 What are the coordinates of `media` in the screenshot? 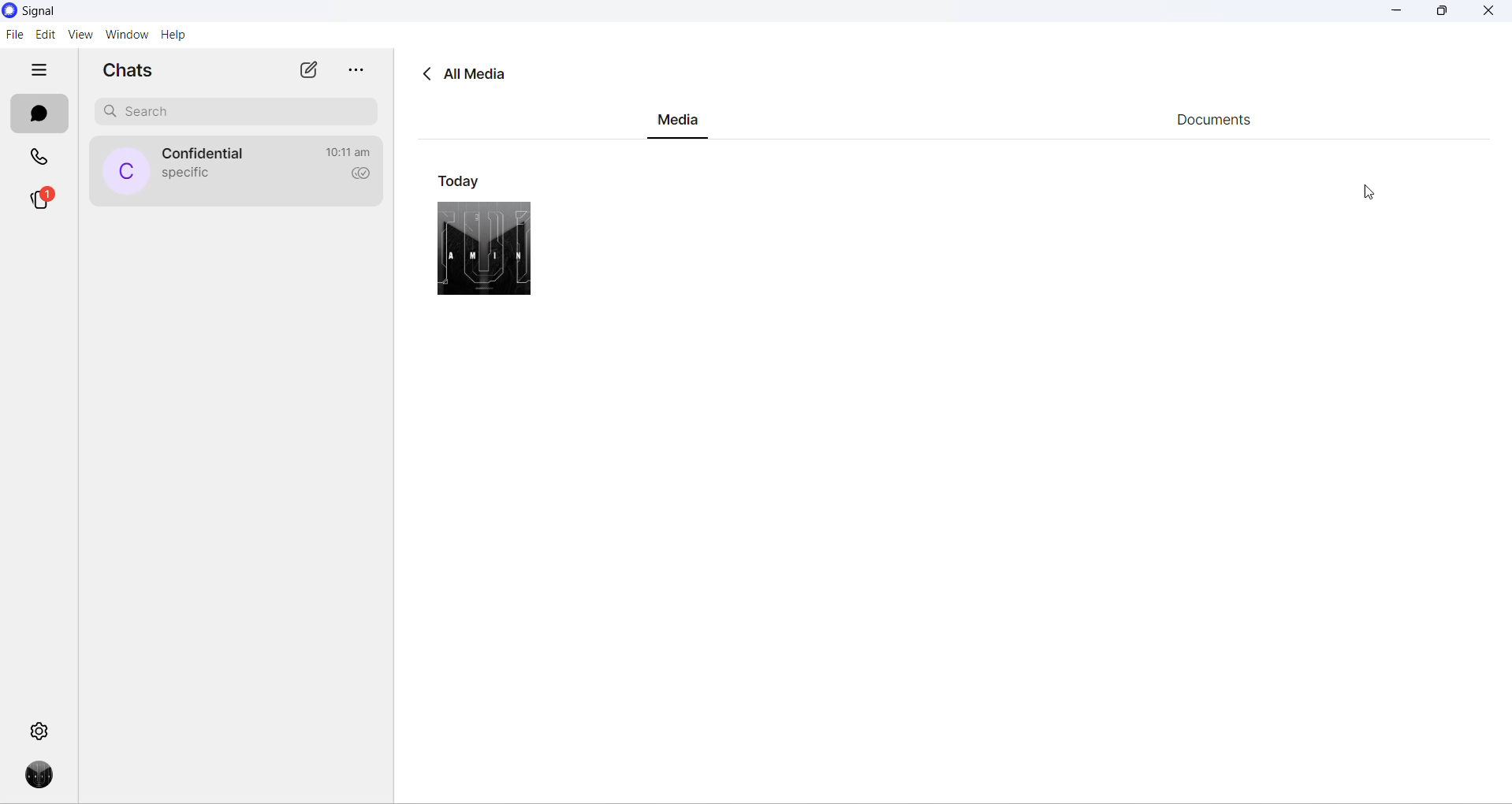 It's located at (483, 248).